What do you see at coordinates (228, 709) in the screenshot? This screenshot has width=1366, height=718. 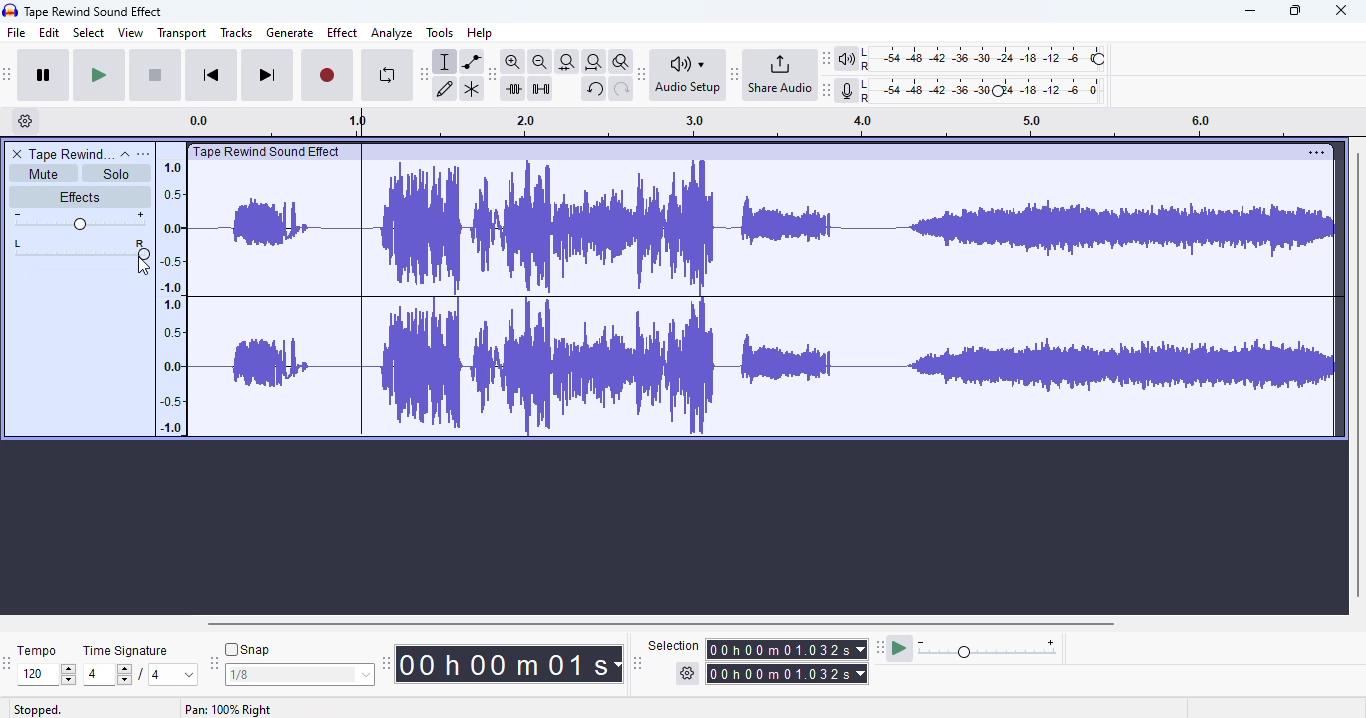 I see `Pan 100% right` at bounding box center [228, 709].